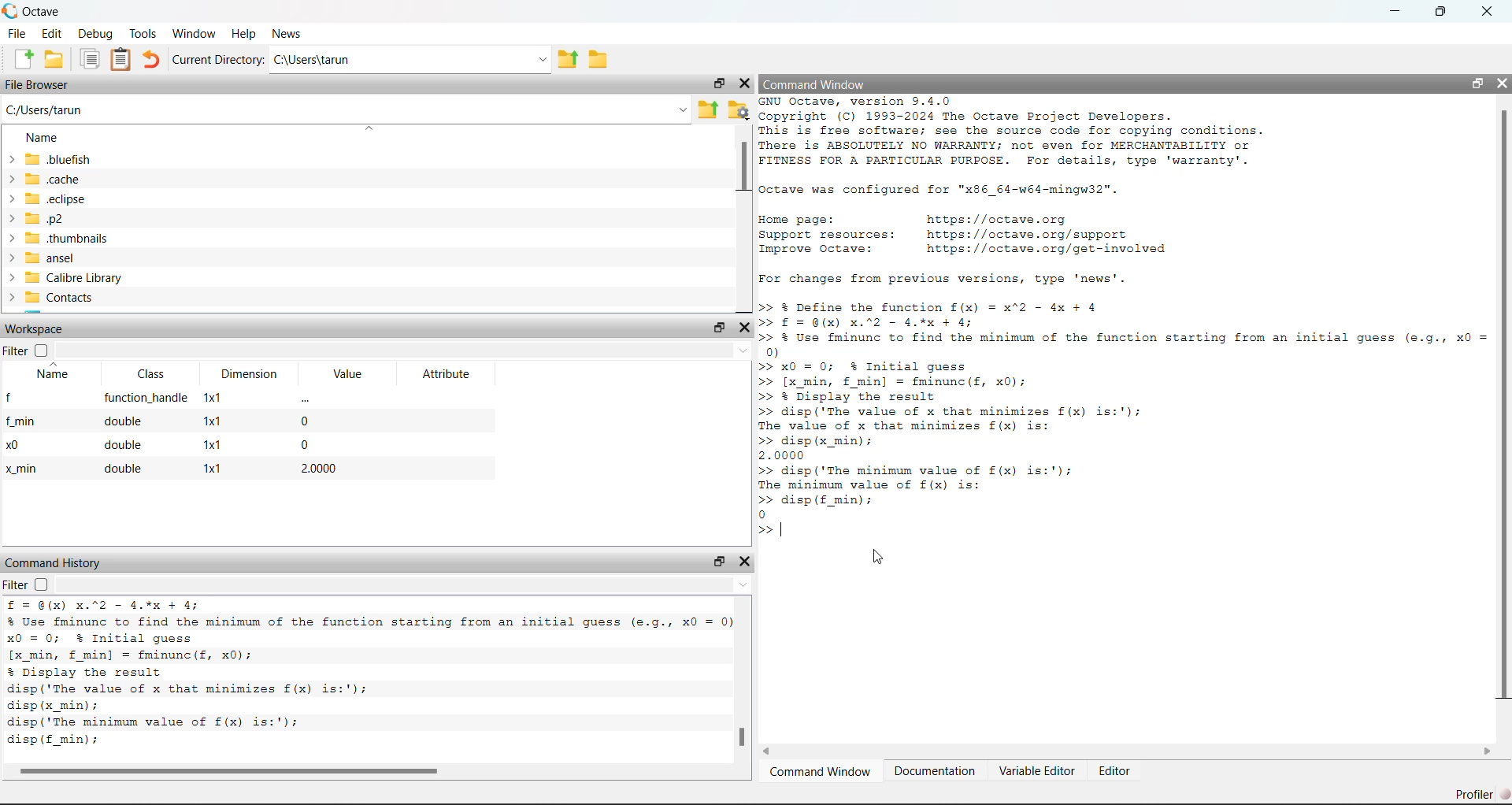  Describe the element at coordinates (52, 160) in the screenshot. I see `bluefish` at that location.